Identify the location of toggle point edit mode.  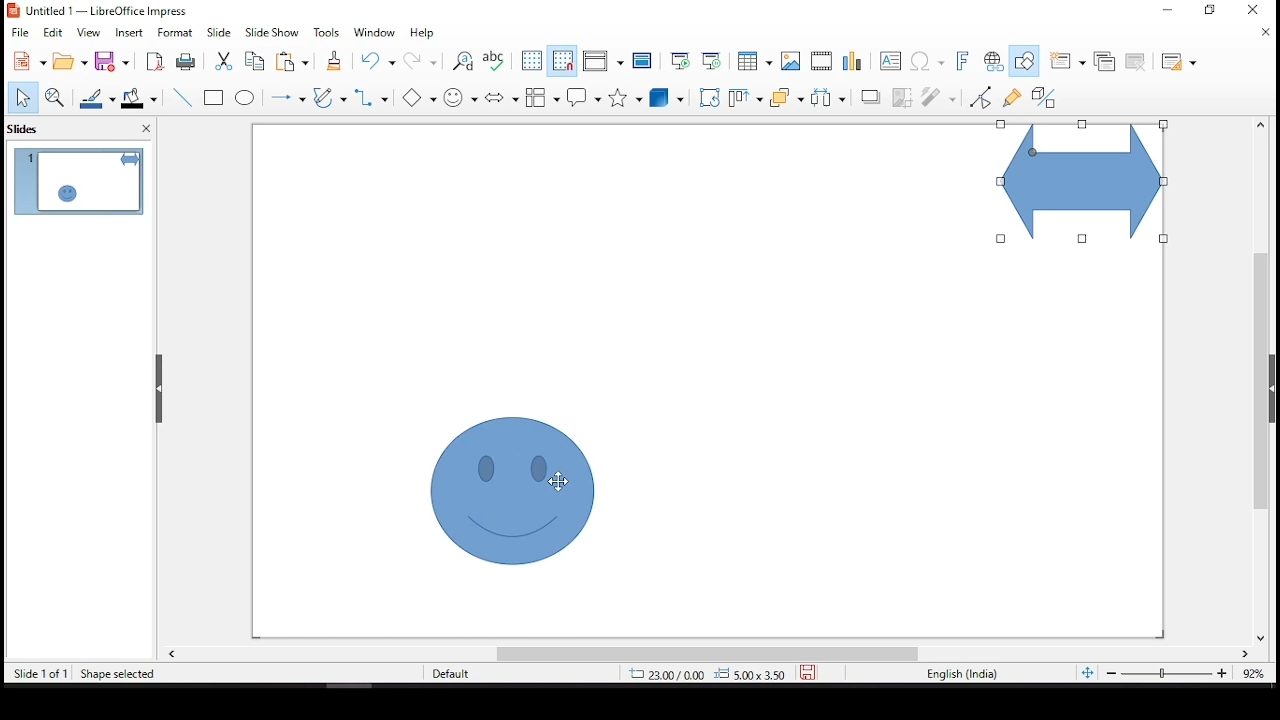
(982, 96).